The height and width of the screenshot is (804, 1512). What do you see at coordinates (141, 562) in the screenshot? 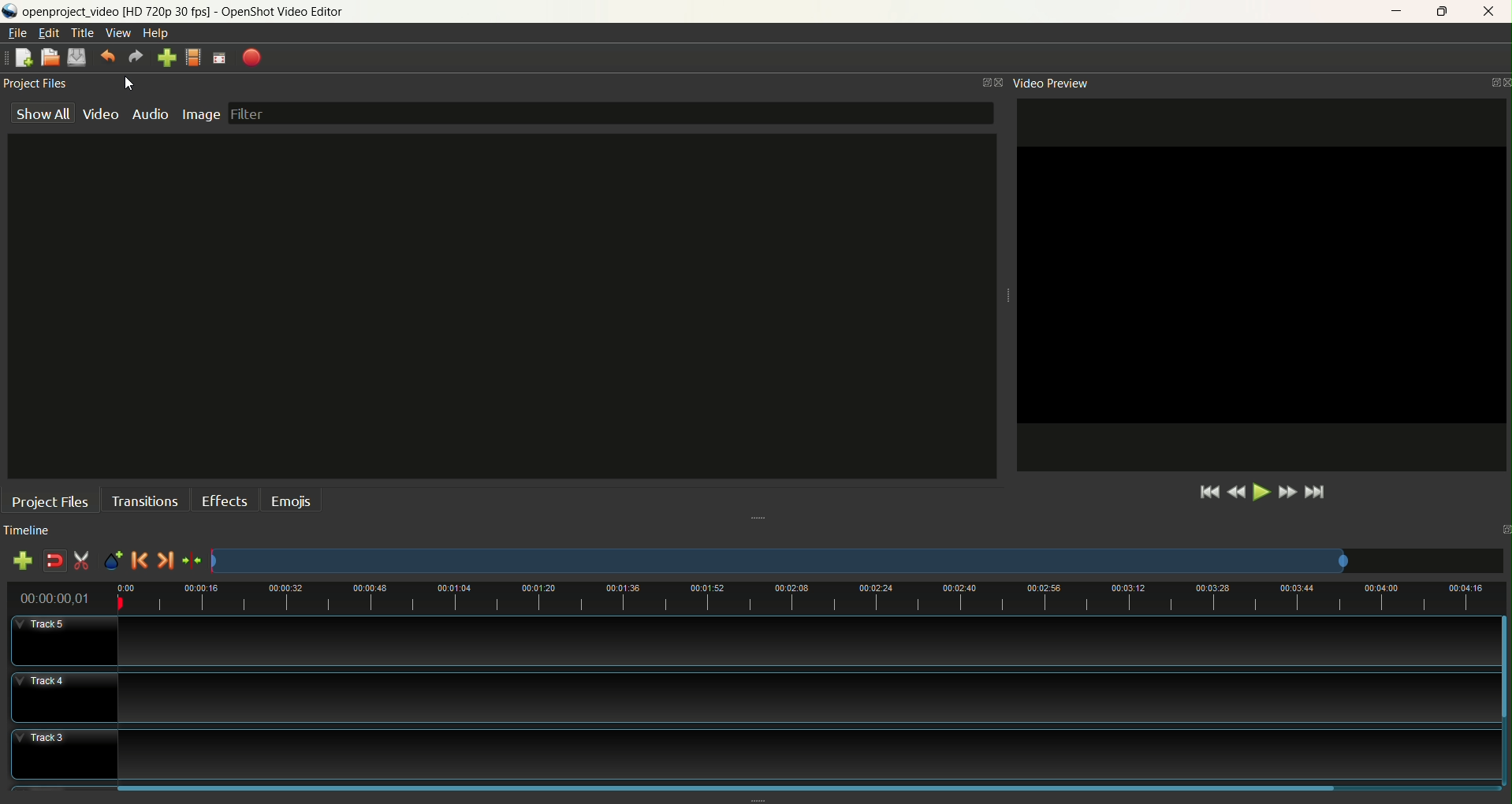
I see `previous marker` at bounding box center [141, 562].